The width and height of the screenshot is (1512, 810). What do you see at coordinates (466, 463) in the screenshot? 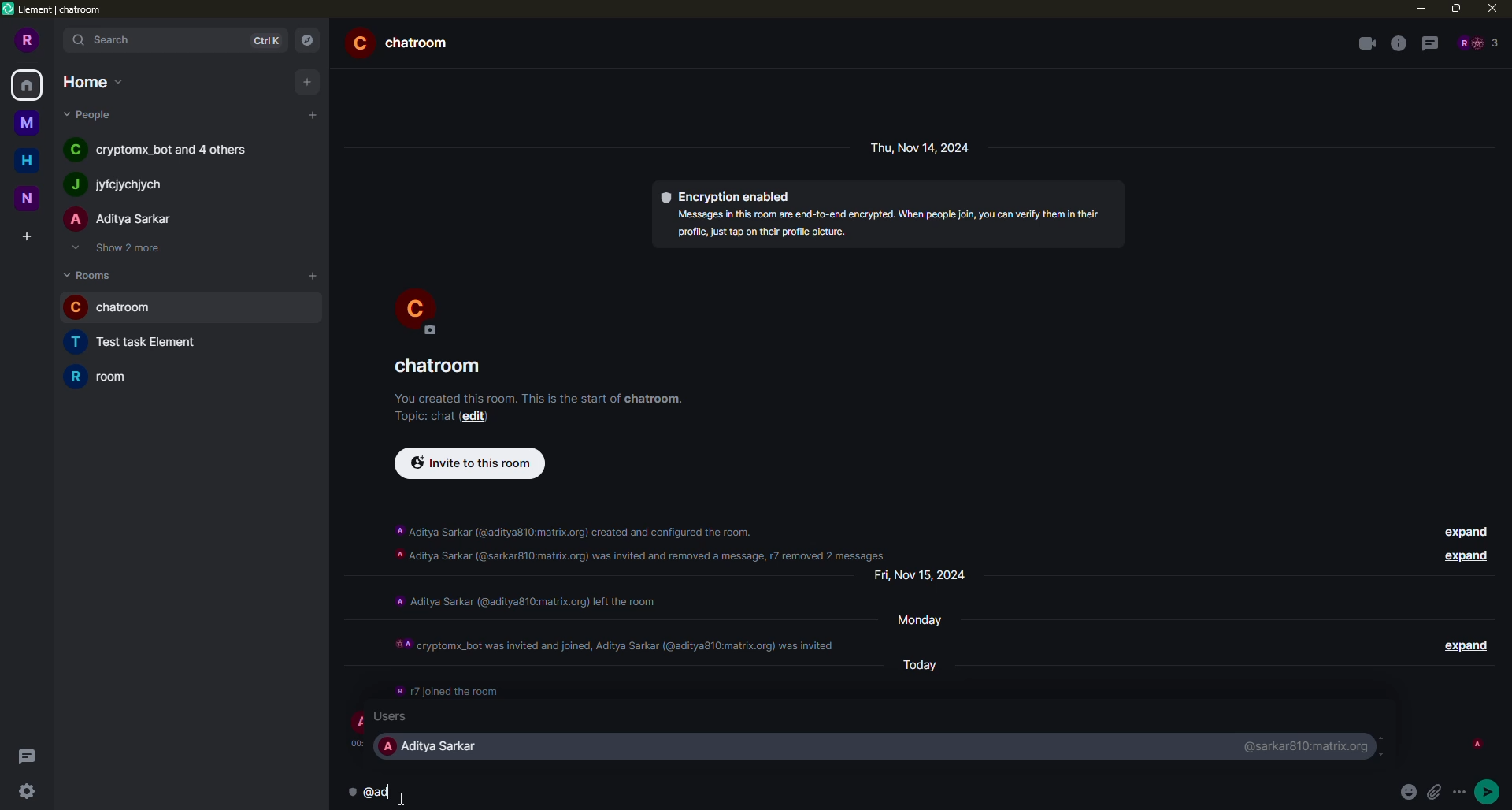
I see `invite to this room` at bounding box center [466, 463].